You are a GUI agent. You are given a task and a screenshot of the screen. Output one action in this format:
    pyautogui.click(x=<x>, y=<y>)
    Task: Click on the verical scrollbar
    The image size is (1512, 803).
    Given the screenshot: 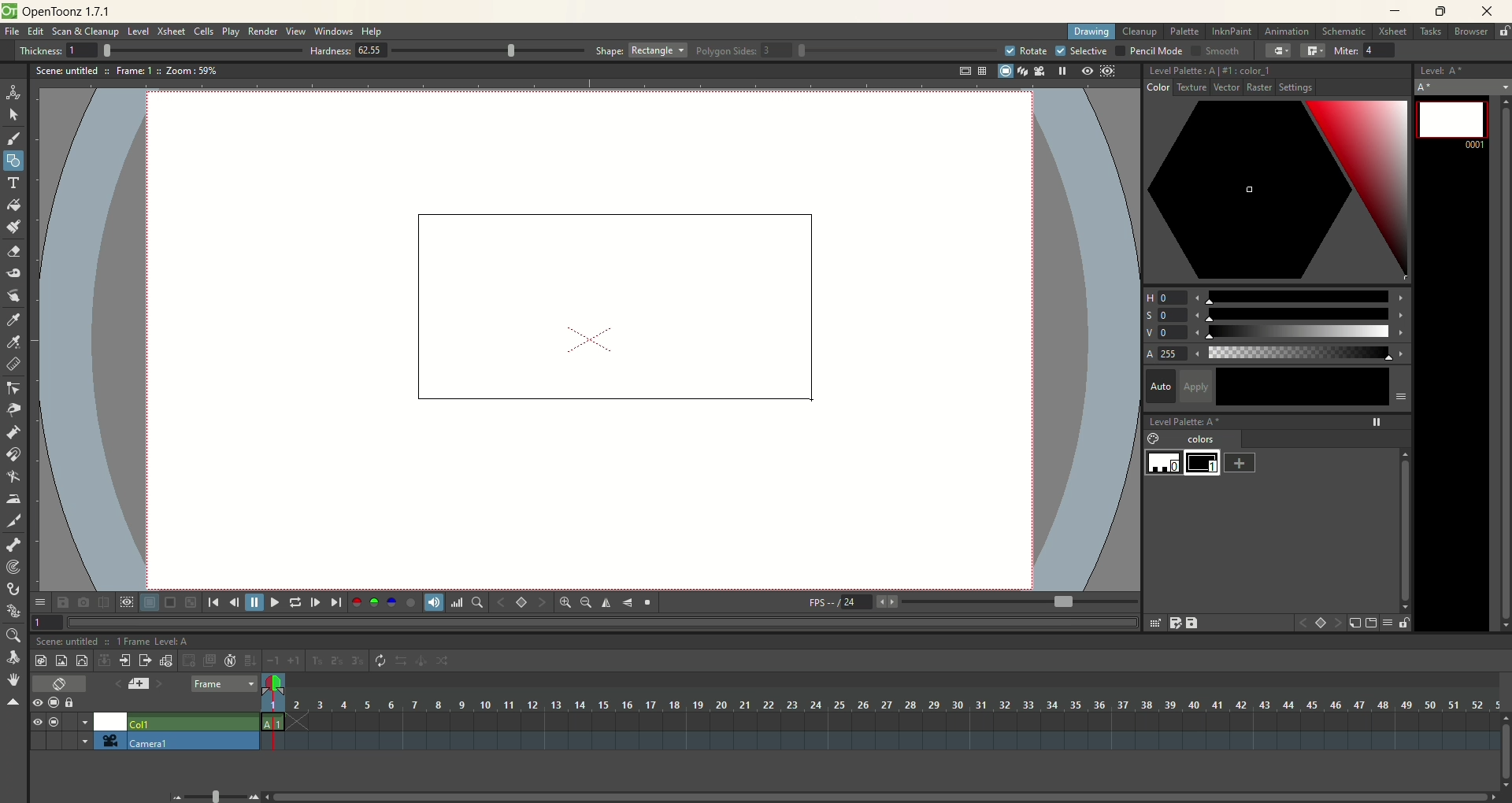 What is the action you would take?
    pyautogui.click(x=1403, y=521)
    